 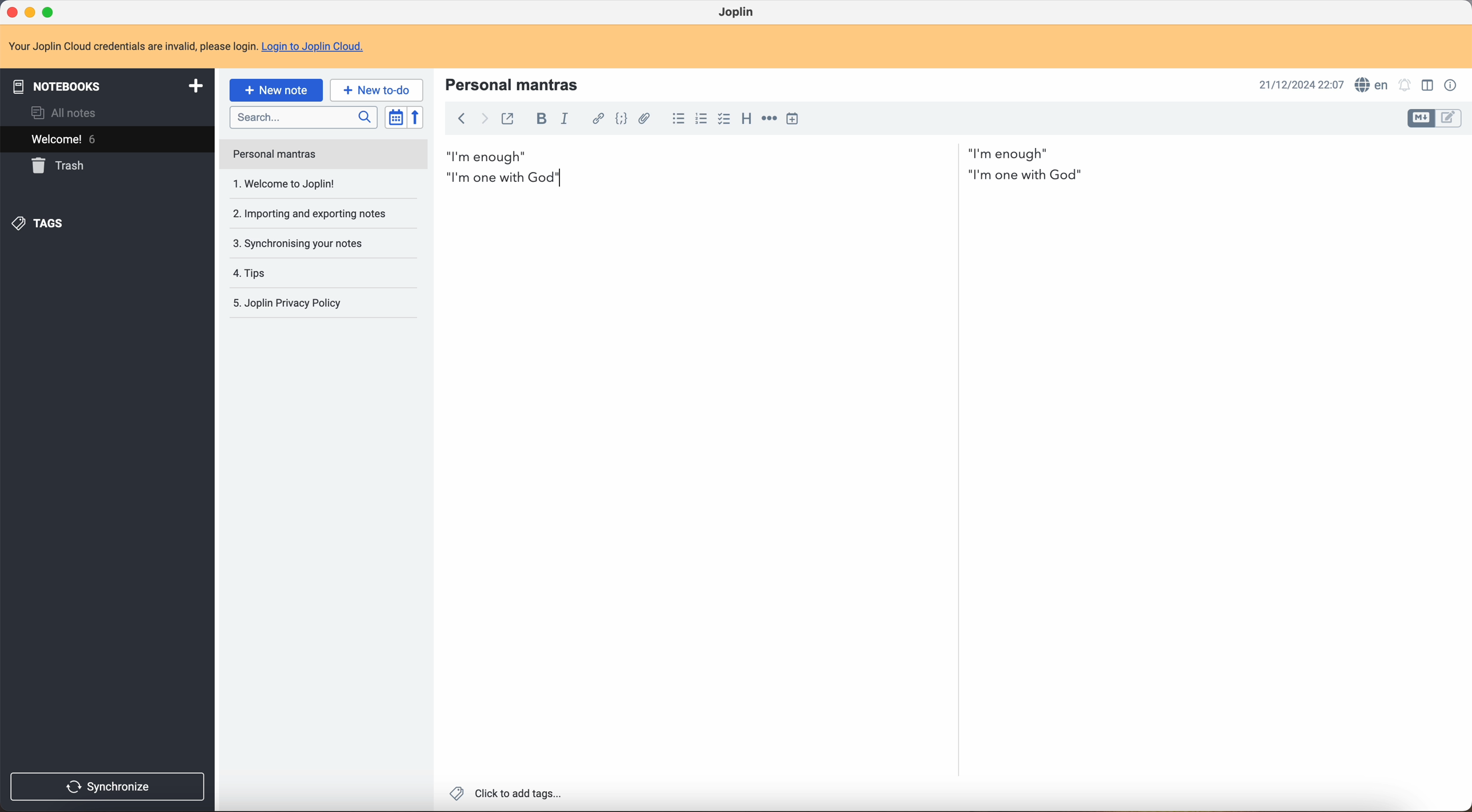 What do you see at coordinates (291, 273) in the screenshot?
I see `Joplin privacy policy` at bounding box center [291, 273].